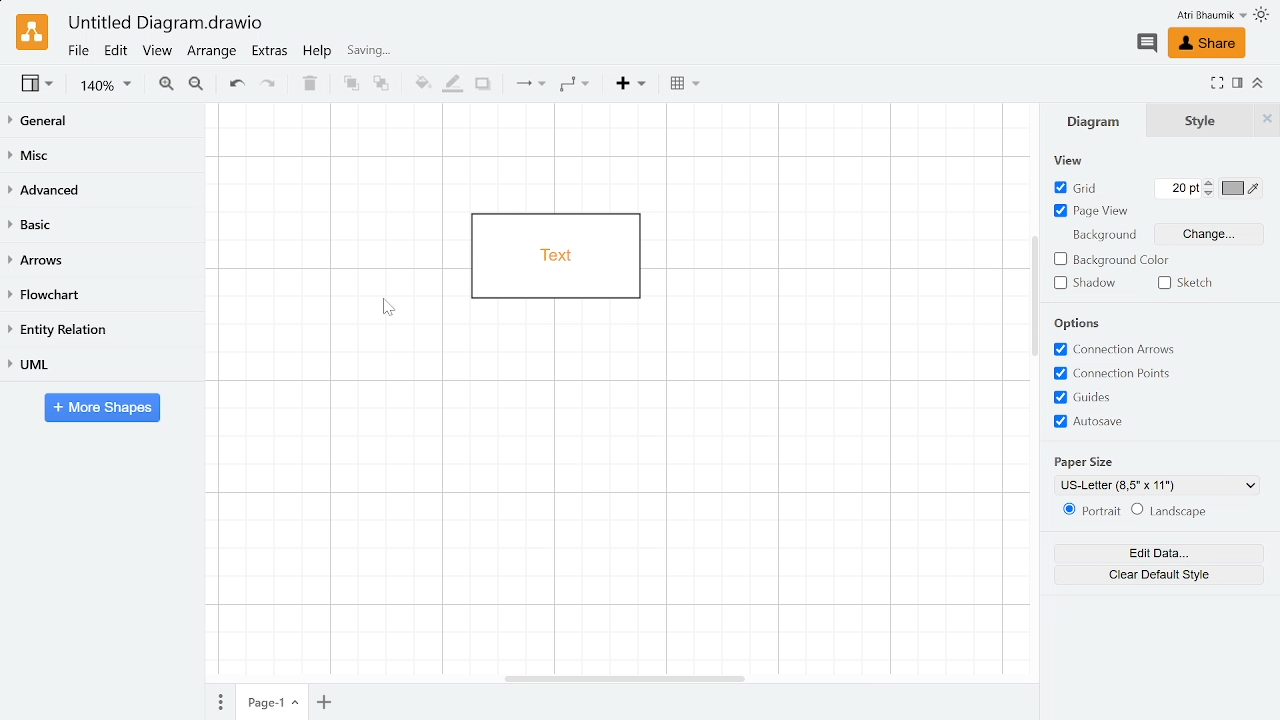 This screenshot has height=720, width=1280. Describe the element at coordinates (1118, 350) in the screenshot. I see `Connection arrows` at that location.